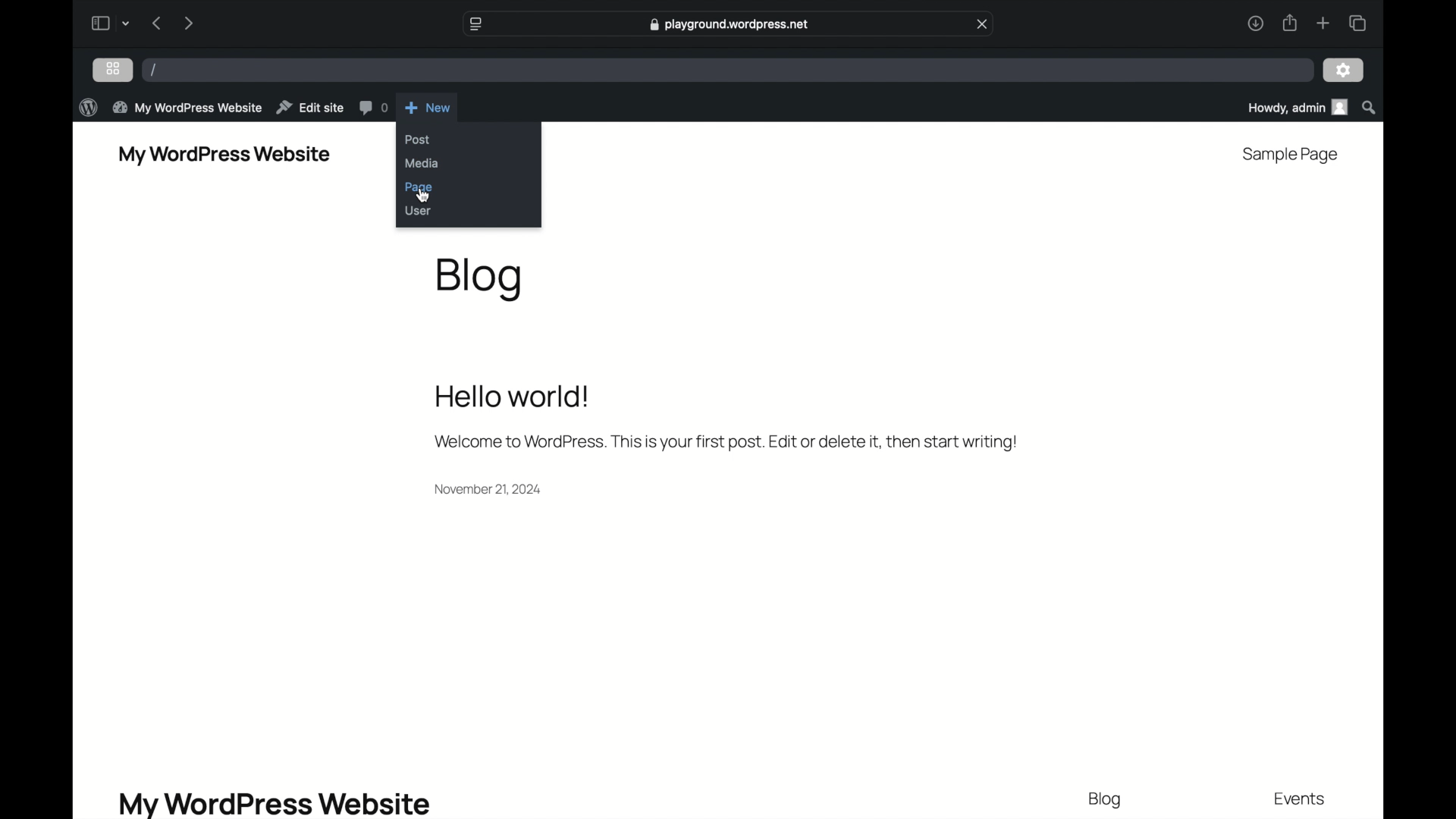 Image resolution: width=1456 pixels, height=819 pixels. I want to click on media, so click(422, 162).